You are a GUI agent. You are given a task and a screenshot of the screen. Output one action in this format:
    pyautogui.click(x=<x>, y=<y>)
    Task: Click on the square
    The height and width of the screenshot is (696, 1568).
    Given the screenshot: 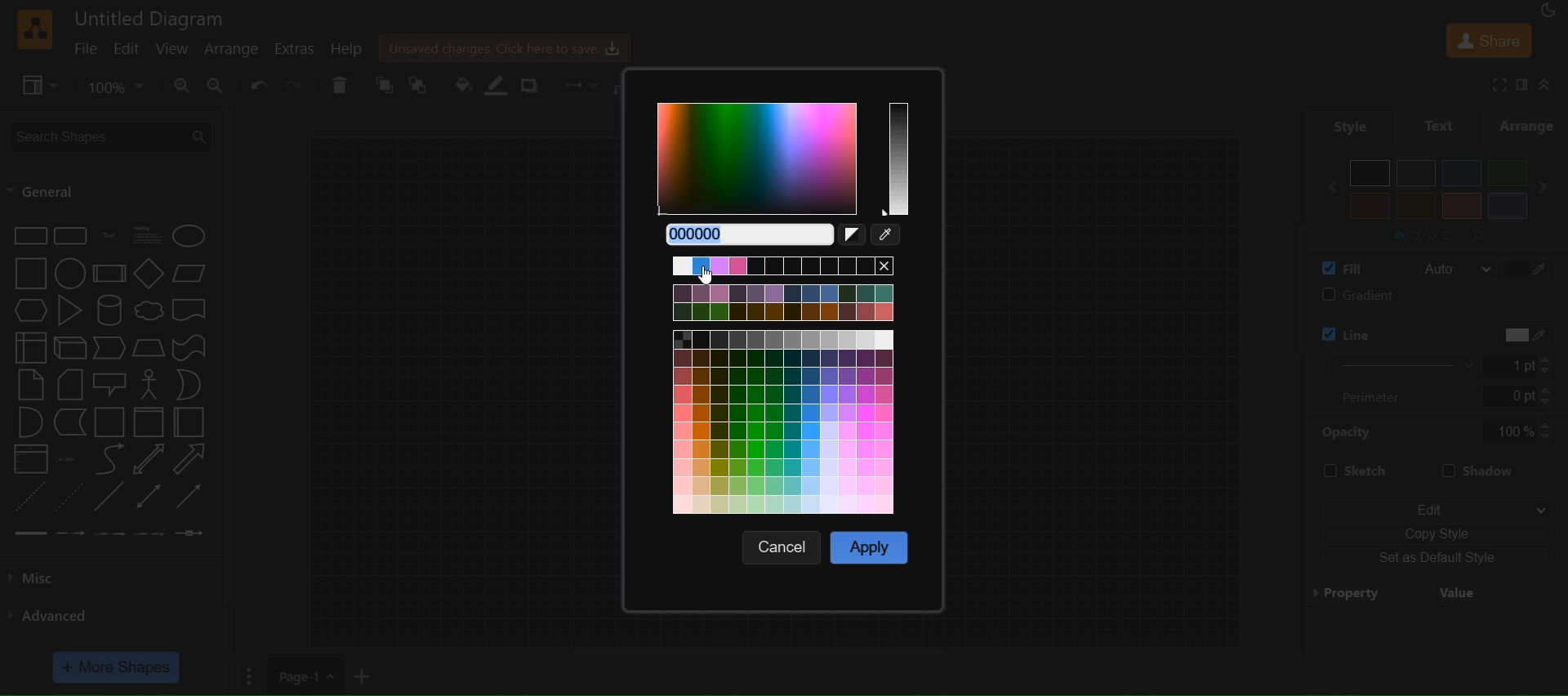 What is the action you would take?
    pyautogui.click(x=30, y=274)
    